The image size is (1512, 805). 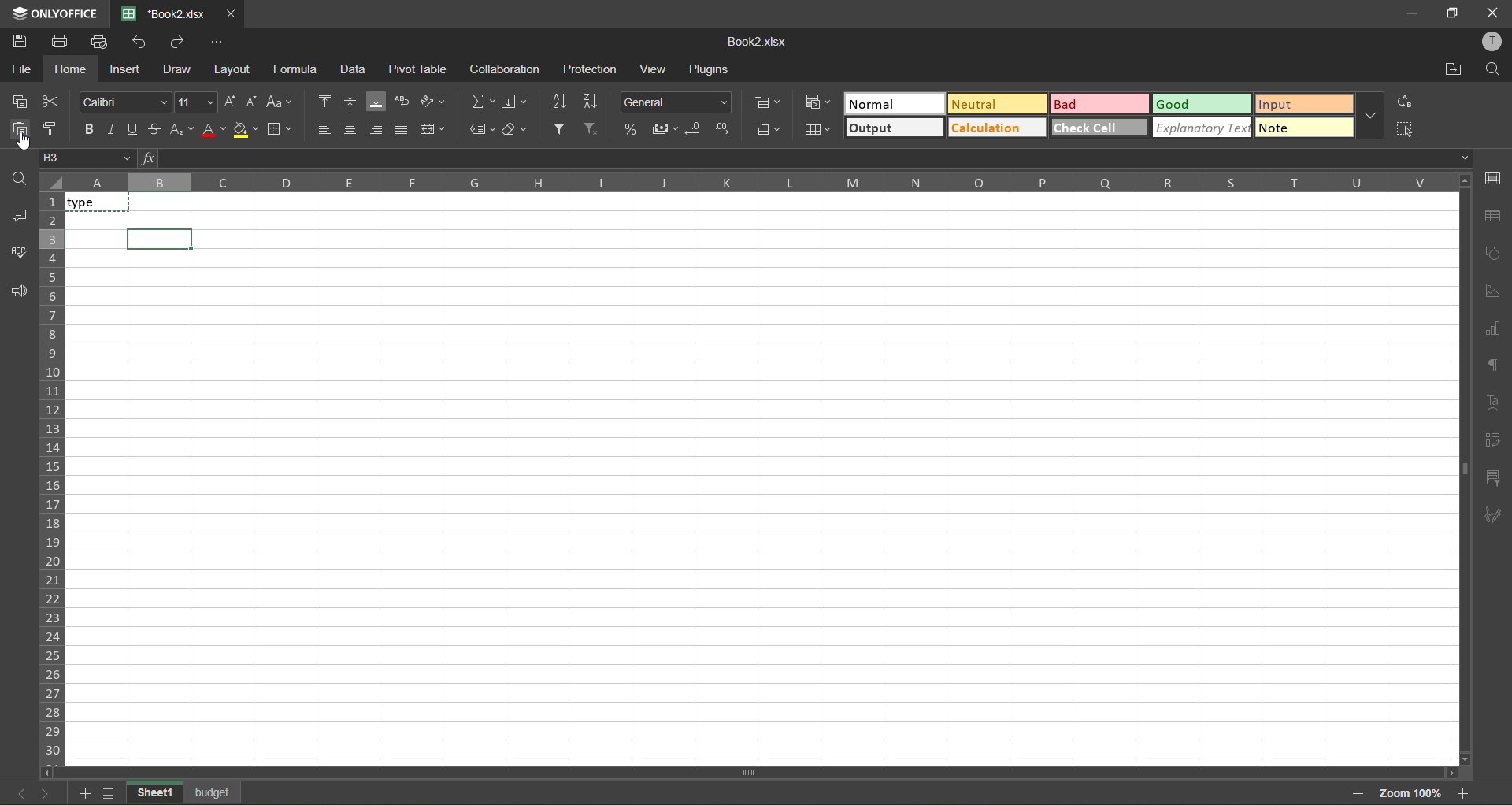 What do you see at coordinates (1202, 103) in the screenshot?
I see `good` at bounding box center [1202, 103].